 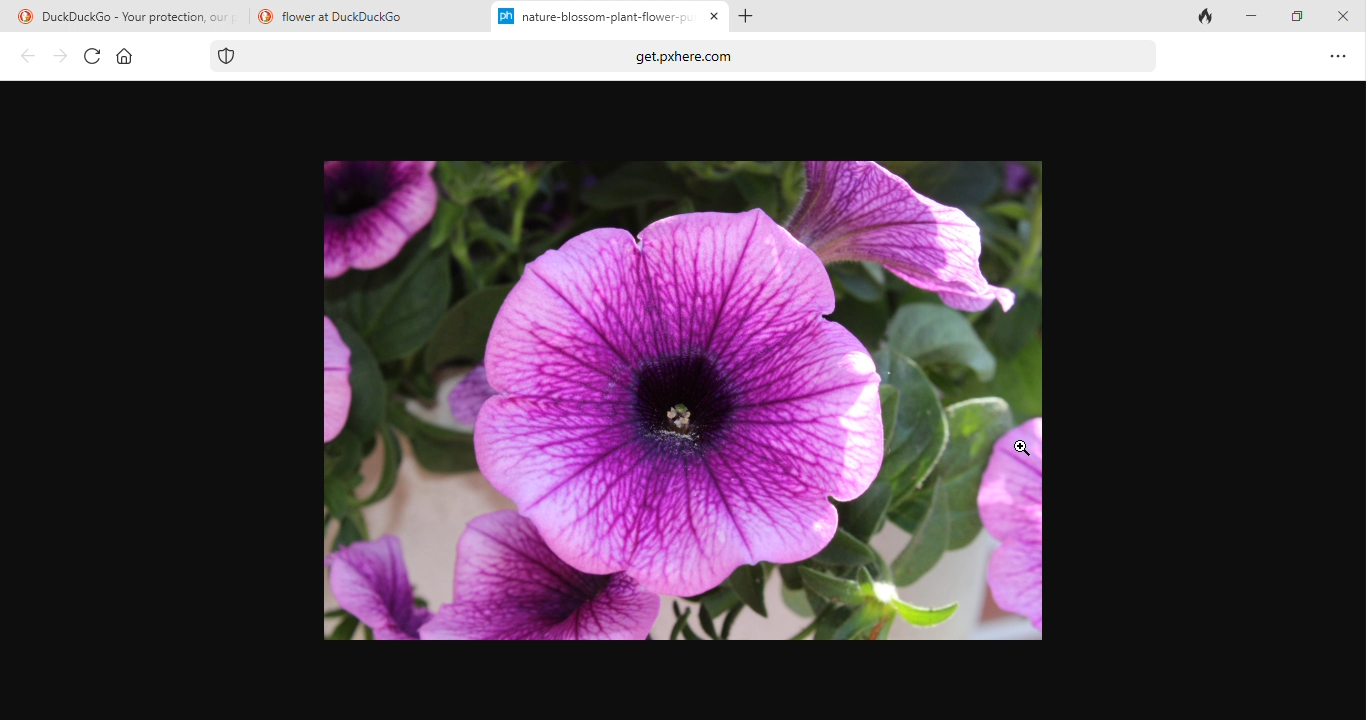 What do you see at coordinates (753, 18) in the screenshot?
I see `add` at bounding box center [753, 18].